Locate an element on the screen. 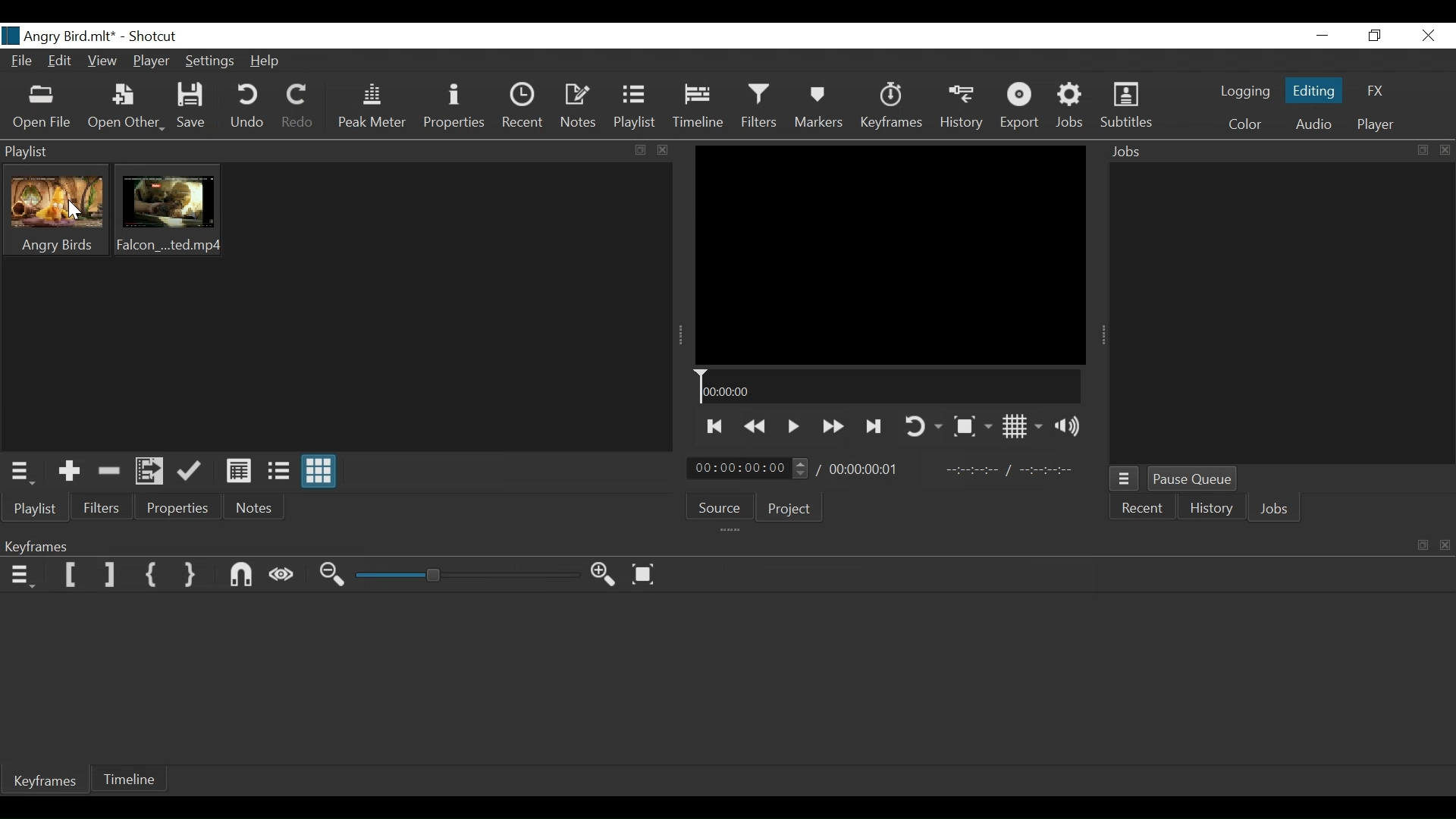 The image size is (1456, 819). Keyframe Panel is located at coordinates (724, 544).